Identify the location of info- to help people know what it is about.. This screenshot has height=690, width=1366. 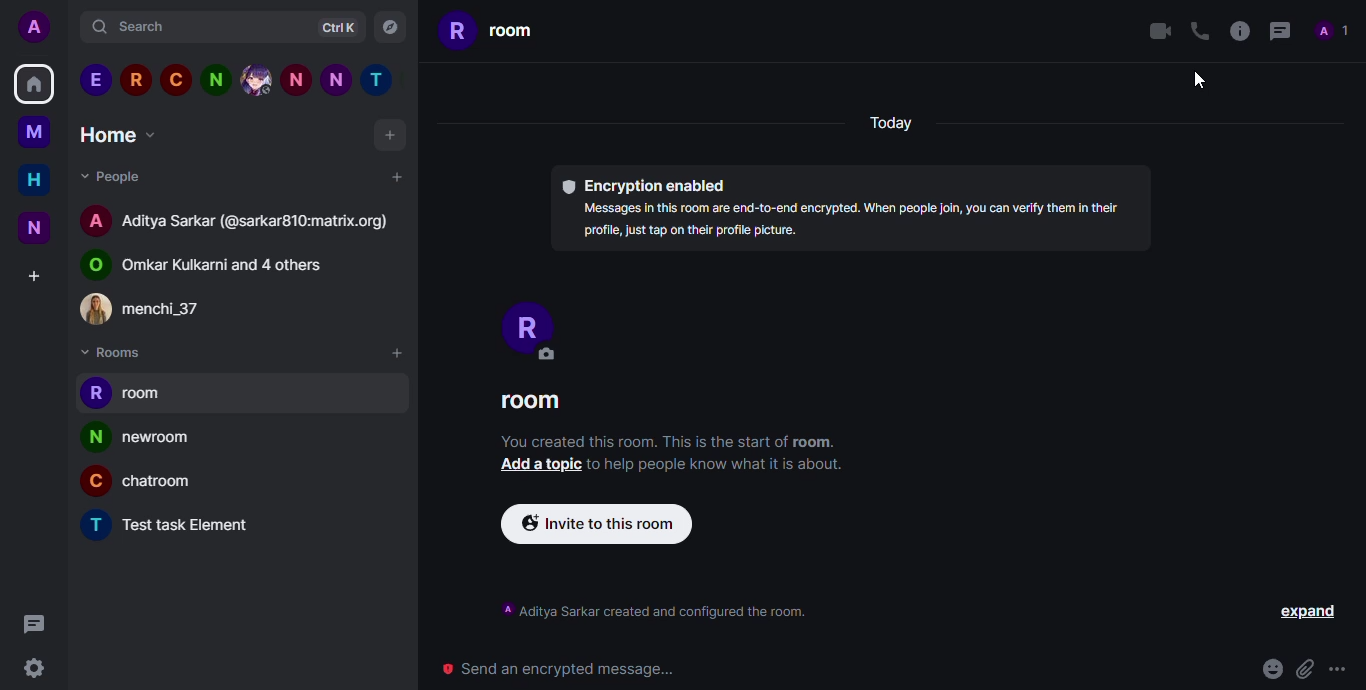
(722, 465).